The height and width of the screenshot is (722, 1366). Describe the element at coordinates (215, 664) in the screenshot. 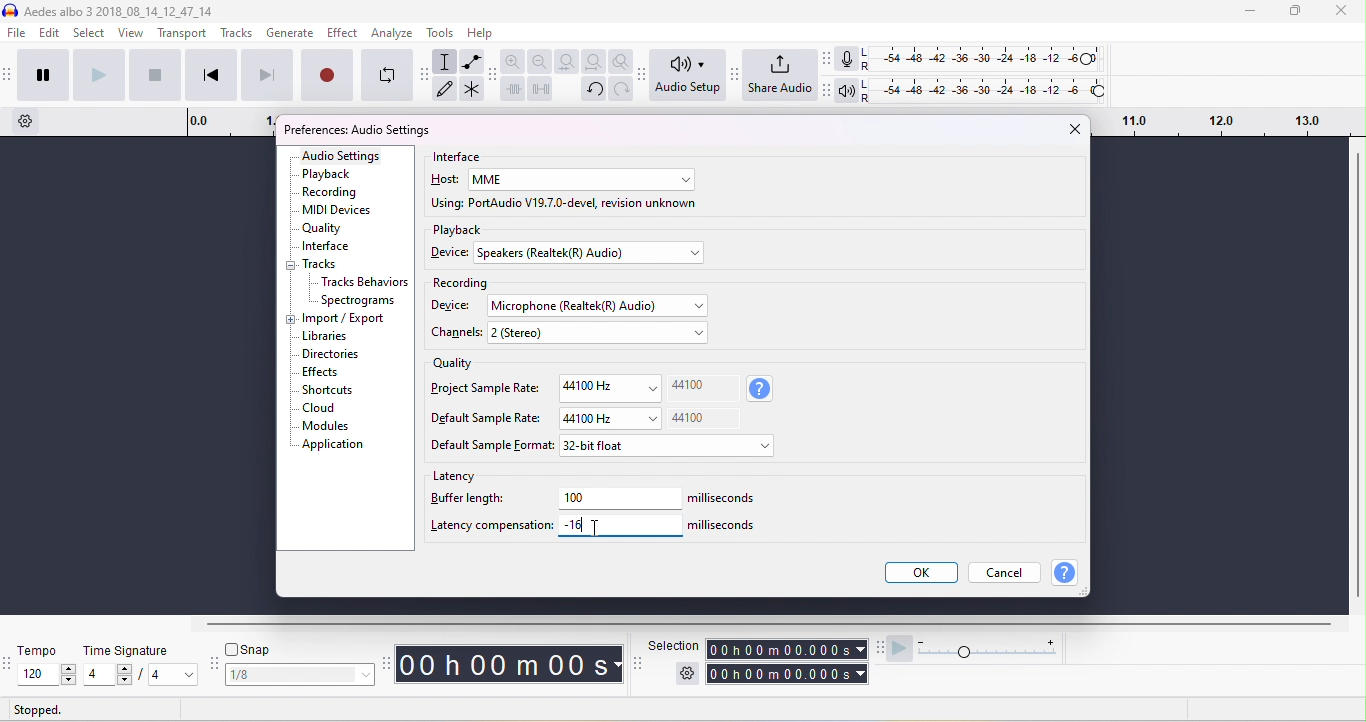

I see `audacity snapping toolbar` at that location.